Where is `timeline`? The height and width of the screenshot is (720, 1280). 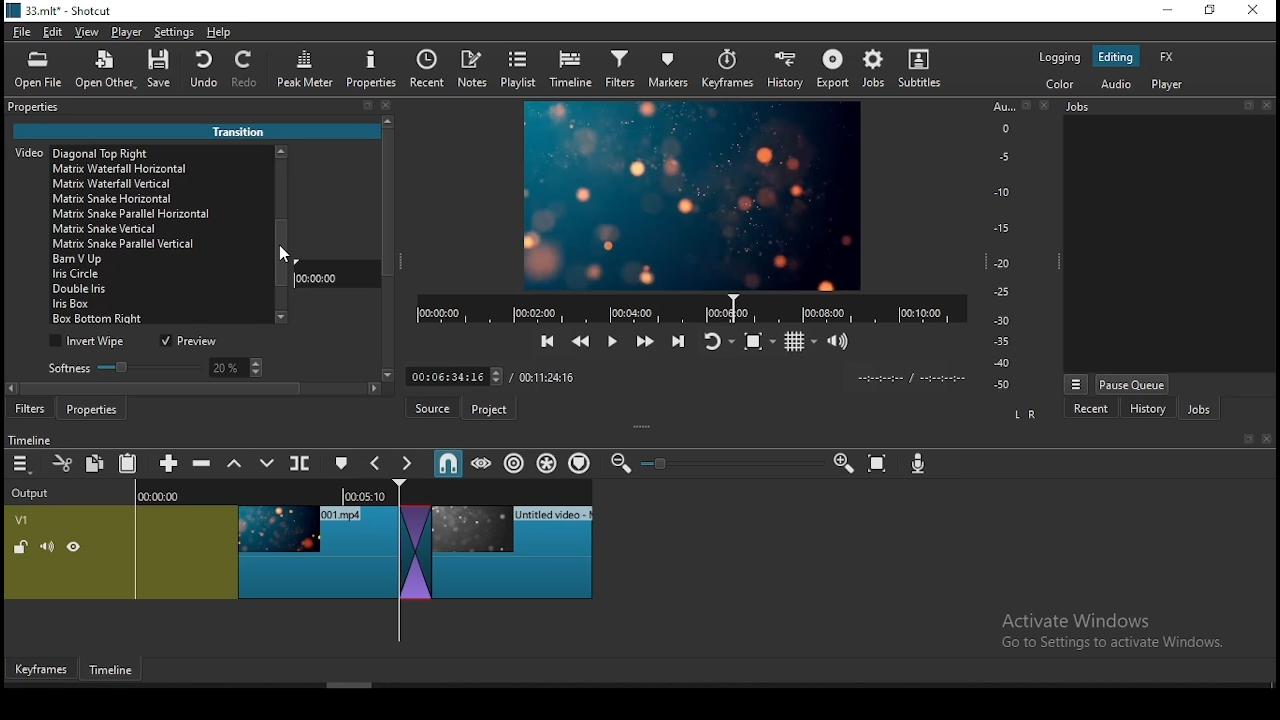
timeline is located at coordinates (33, 439).